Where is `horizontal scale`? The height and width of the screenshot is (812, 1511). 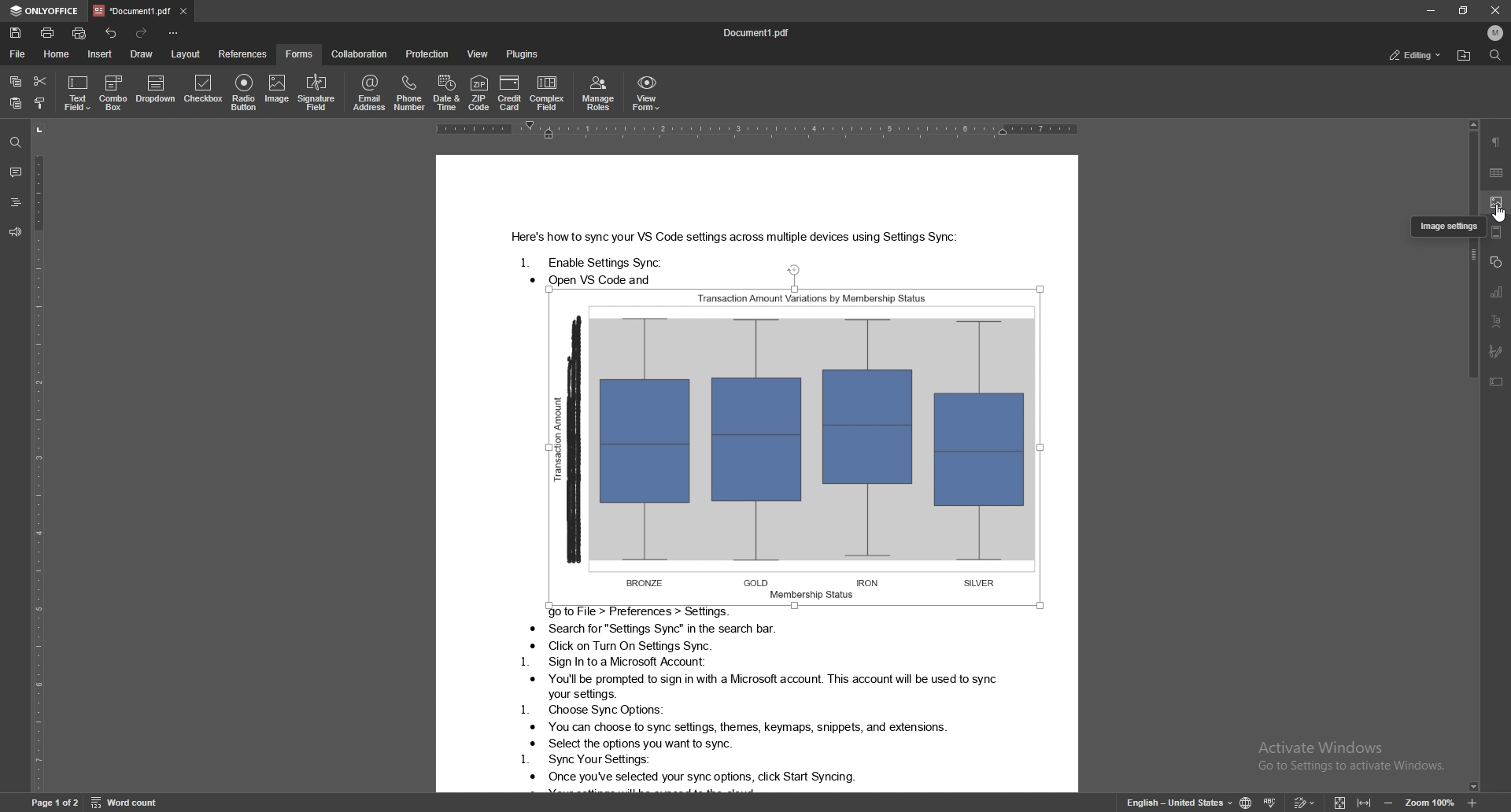 horizontal scale is located at coordinates (765, 131).